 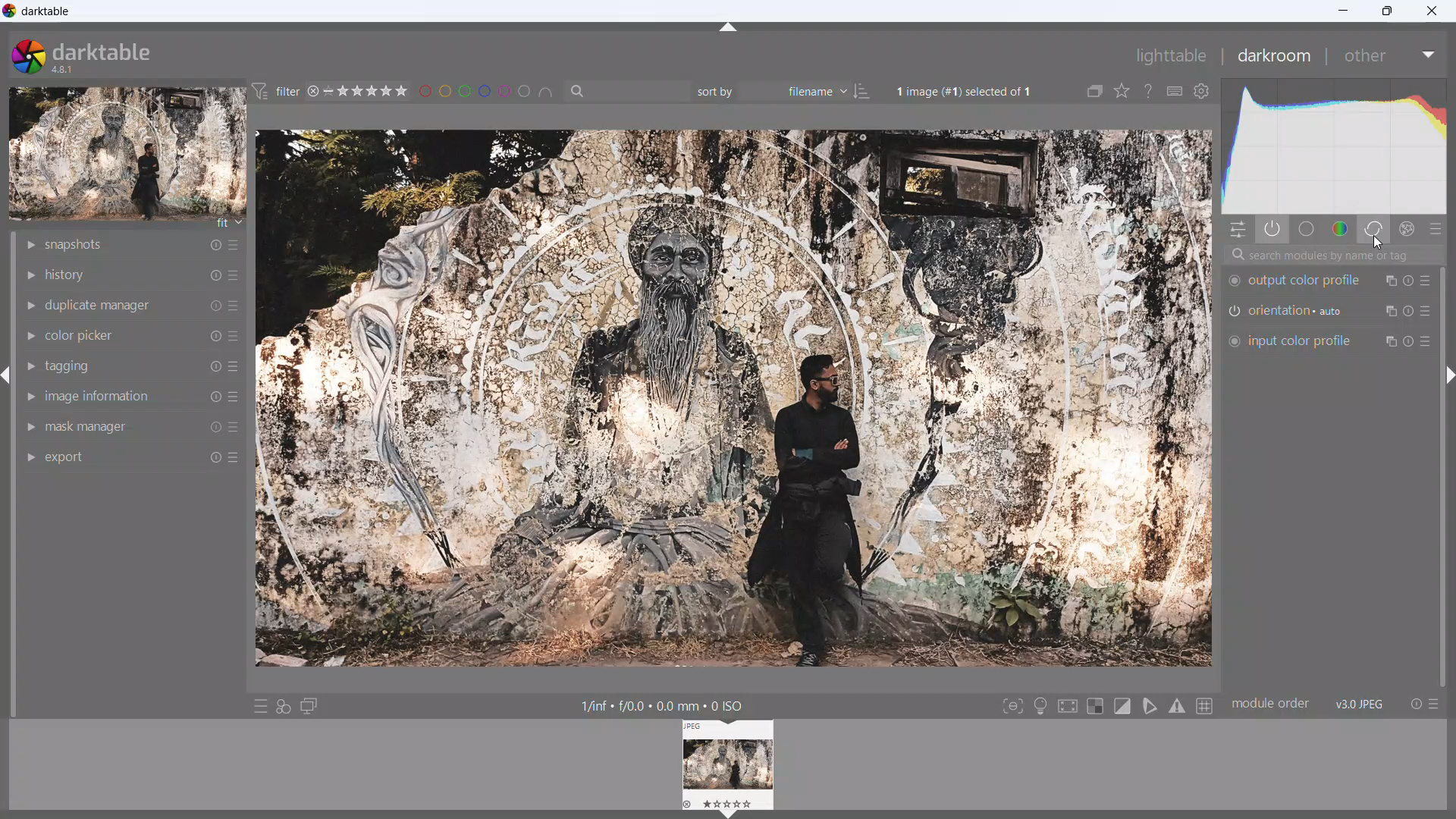 What do you see at coordinates (1390, 312) in the screenshot?
I see `multiple instance action` at bounding box center [1390, 312].